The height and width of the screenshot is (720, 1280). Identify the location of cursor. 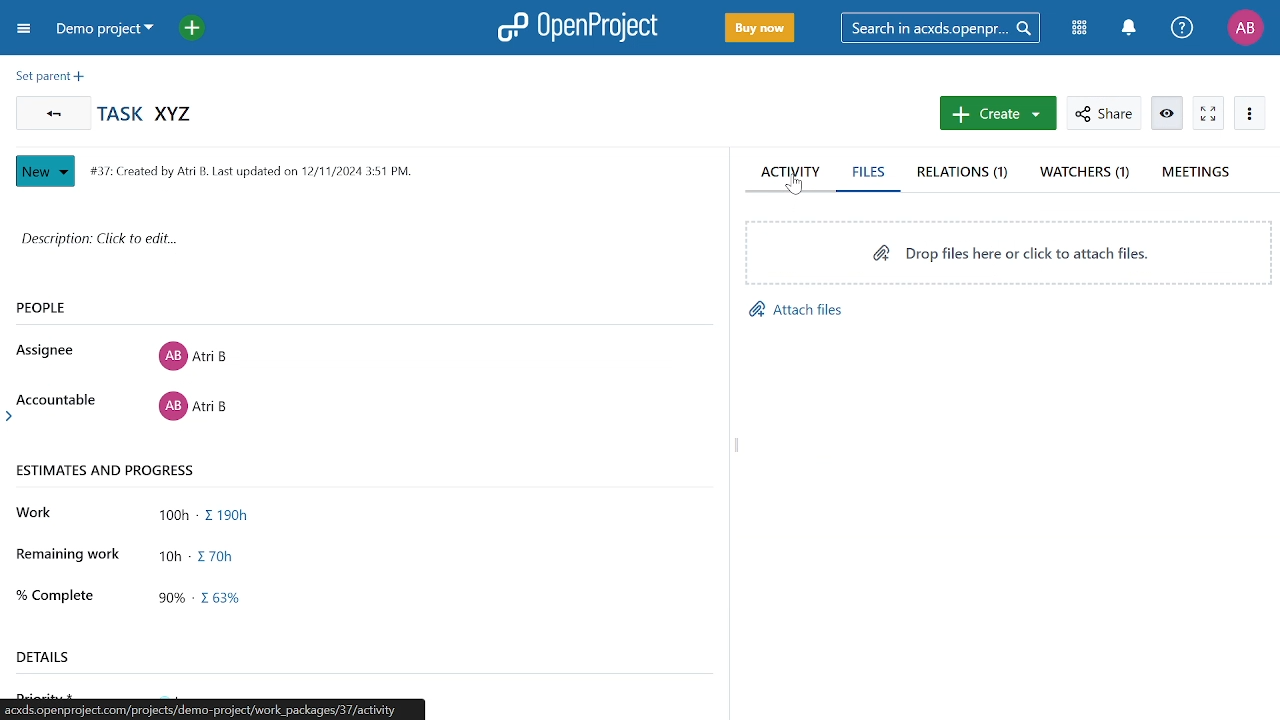
(798, 188).